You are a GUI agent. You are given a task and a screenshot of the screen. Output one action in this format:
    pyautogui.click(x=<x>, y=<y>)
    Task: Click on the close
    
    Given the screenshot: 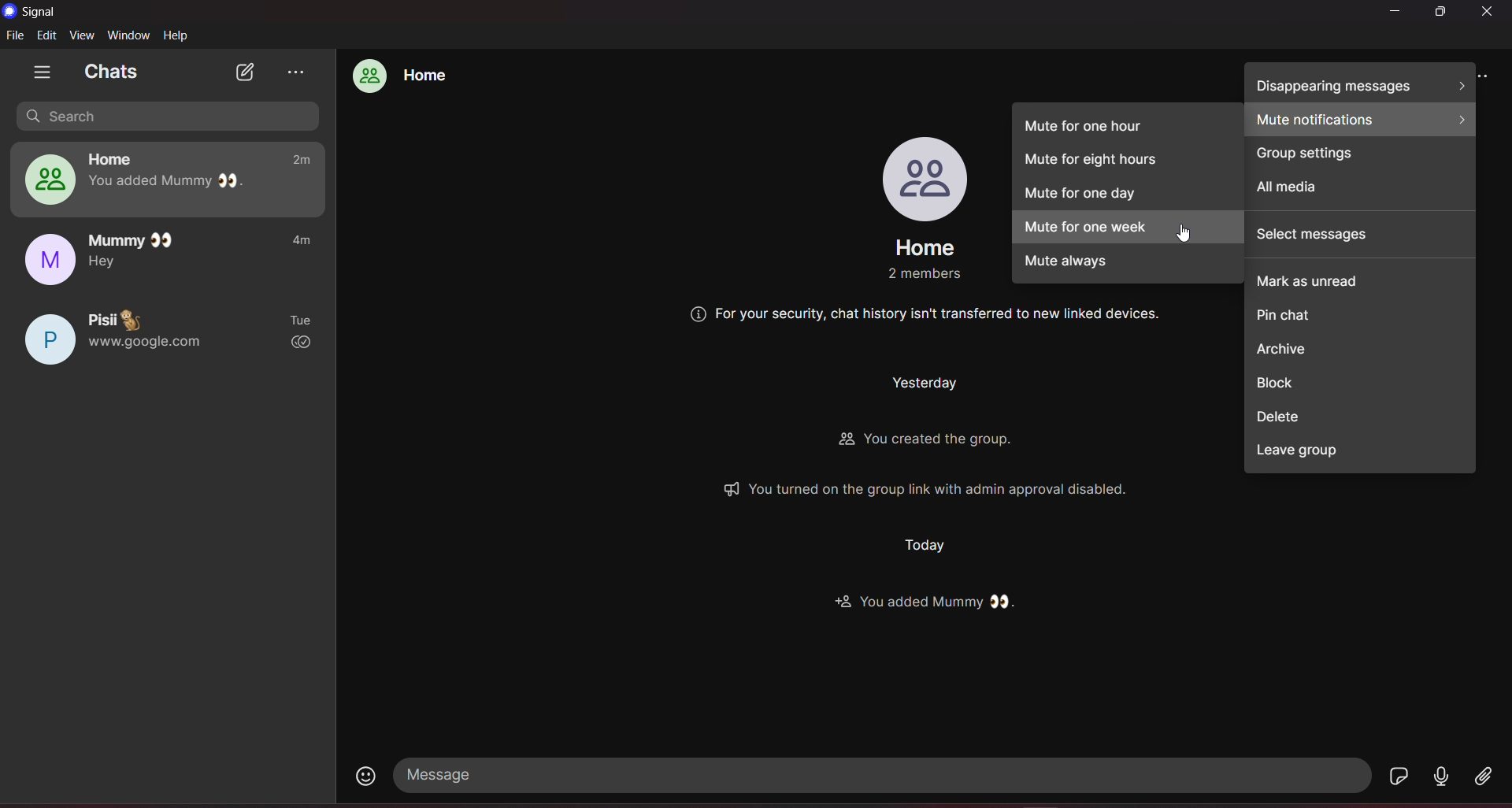 What is the action you would take?
    pyautogui.click(x=1488, y=12)
    